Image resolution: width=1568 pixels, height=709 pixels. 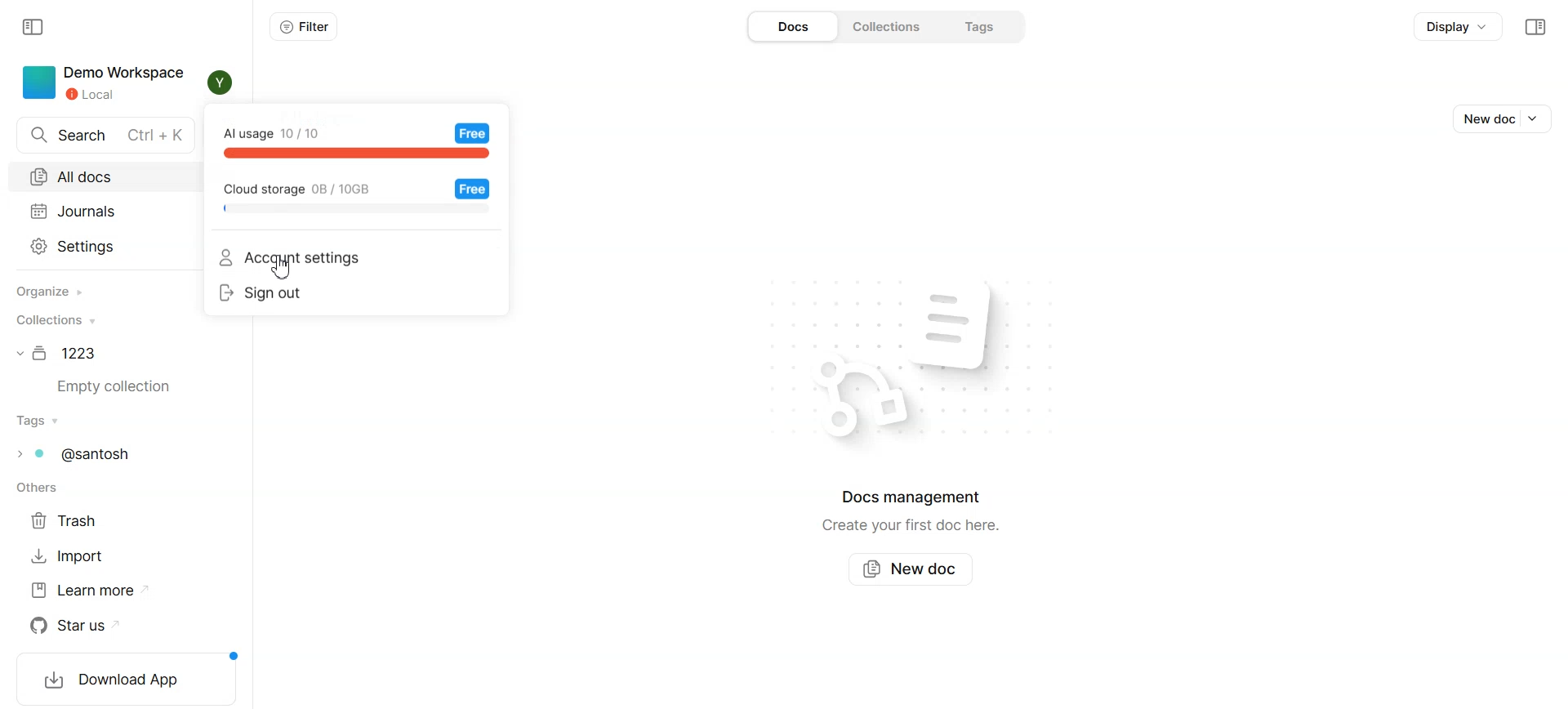 What do you see at coordinates (978, 324) in the screenshot?
I see `Visual element` at bounding box center [978, 324].